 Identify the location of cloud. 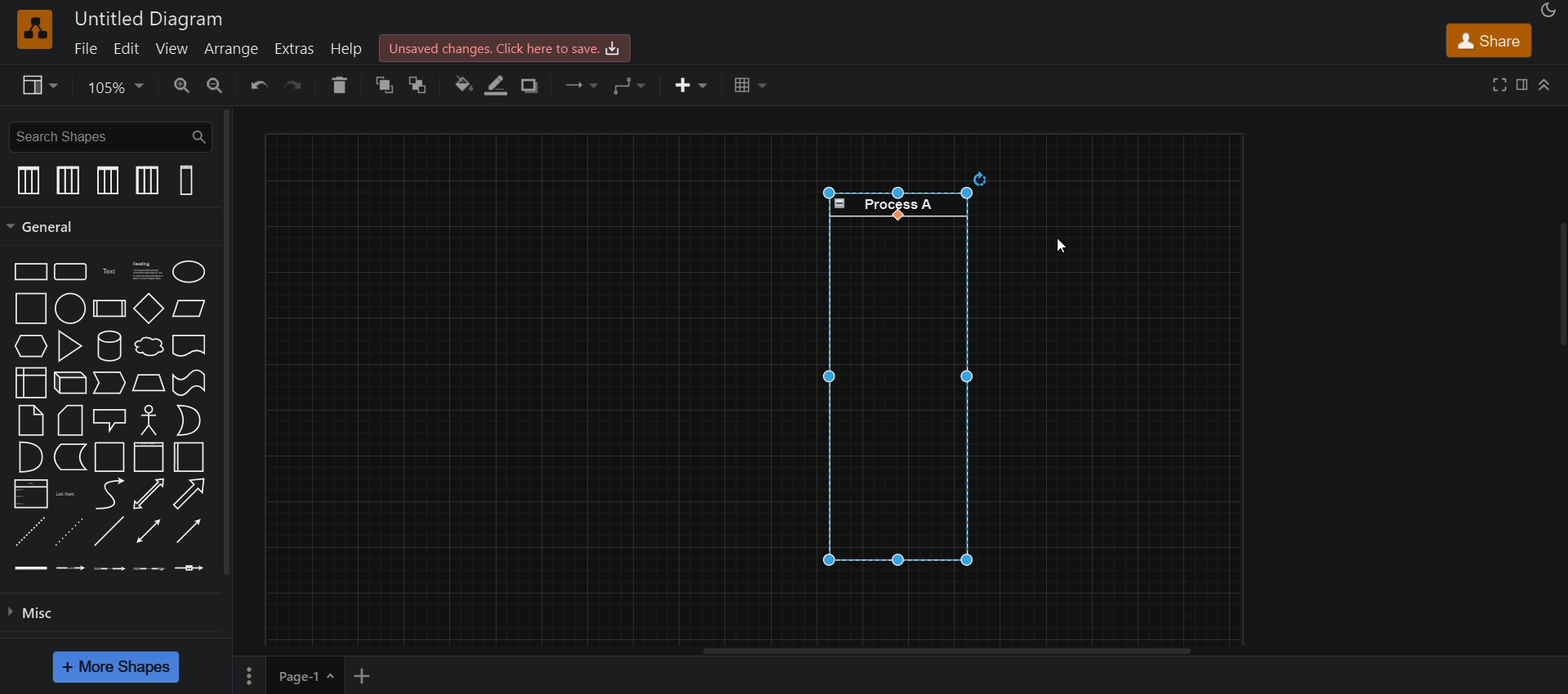
(147, 347).